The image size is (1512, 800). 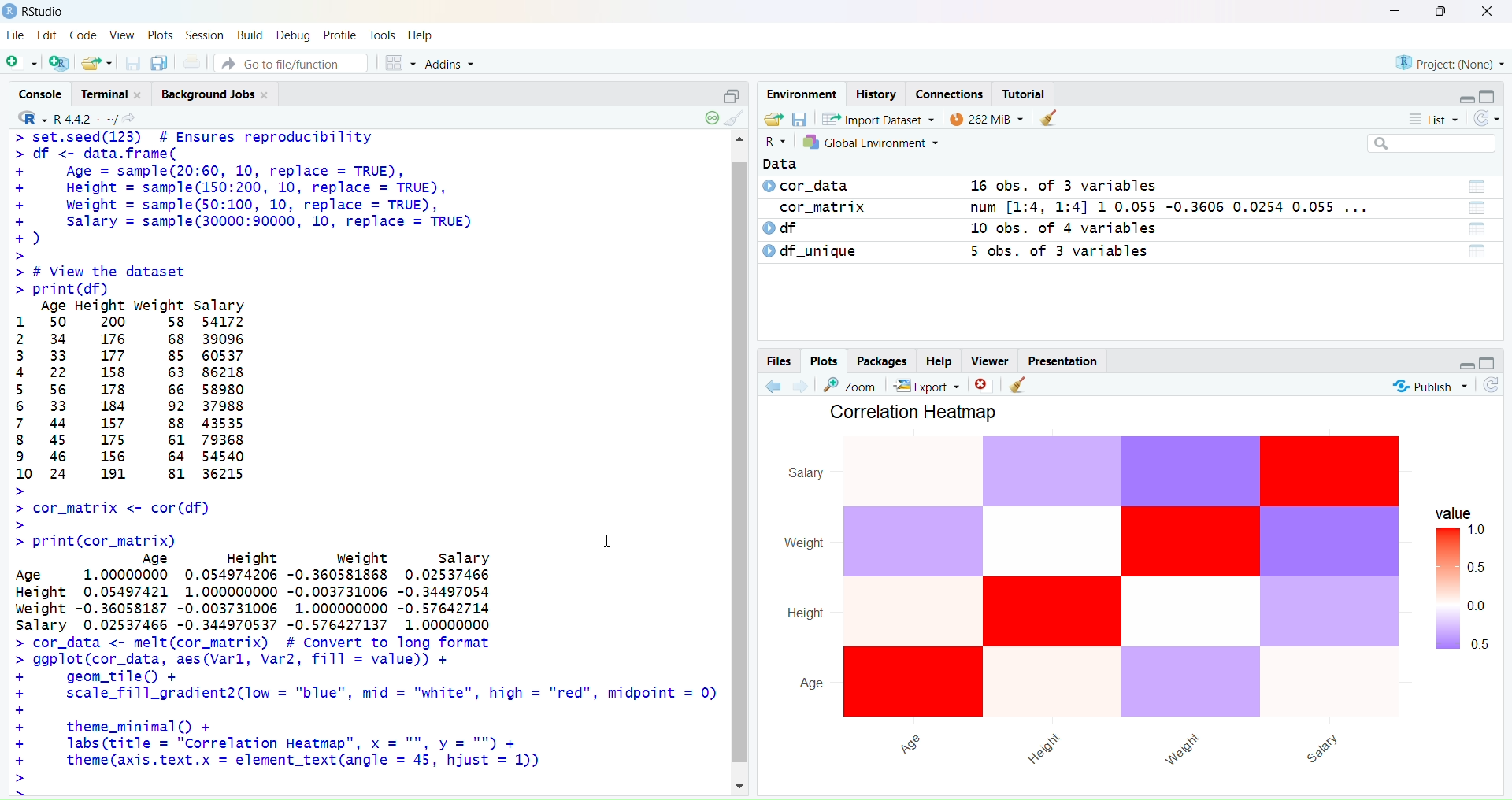 What do you see at coordinates (1477, 253) in the screenshot?
I see `List` at bounding box center [1477, 253].